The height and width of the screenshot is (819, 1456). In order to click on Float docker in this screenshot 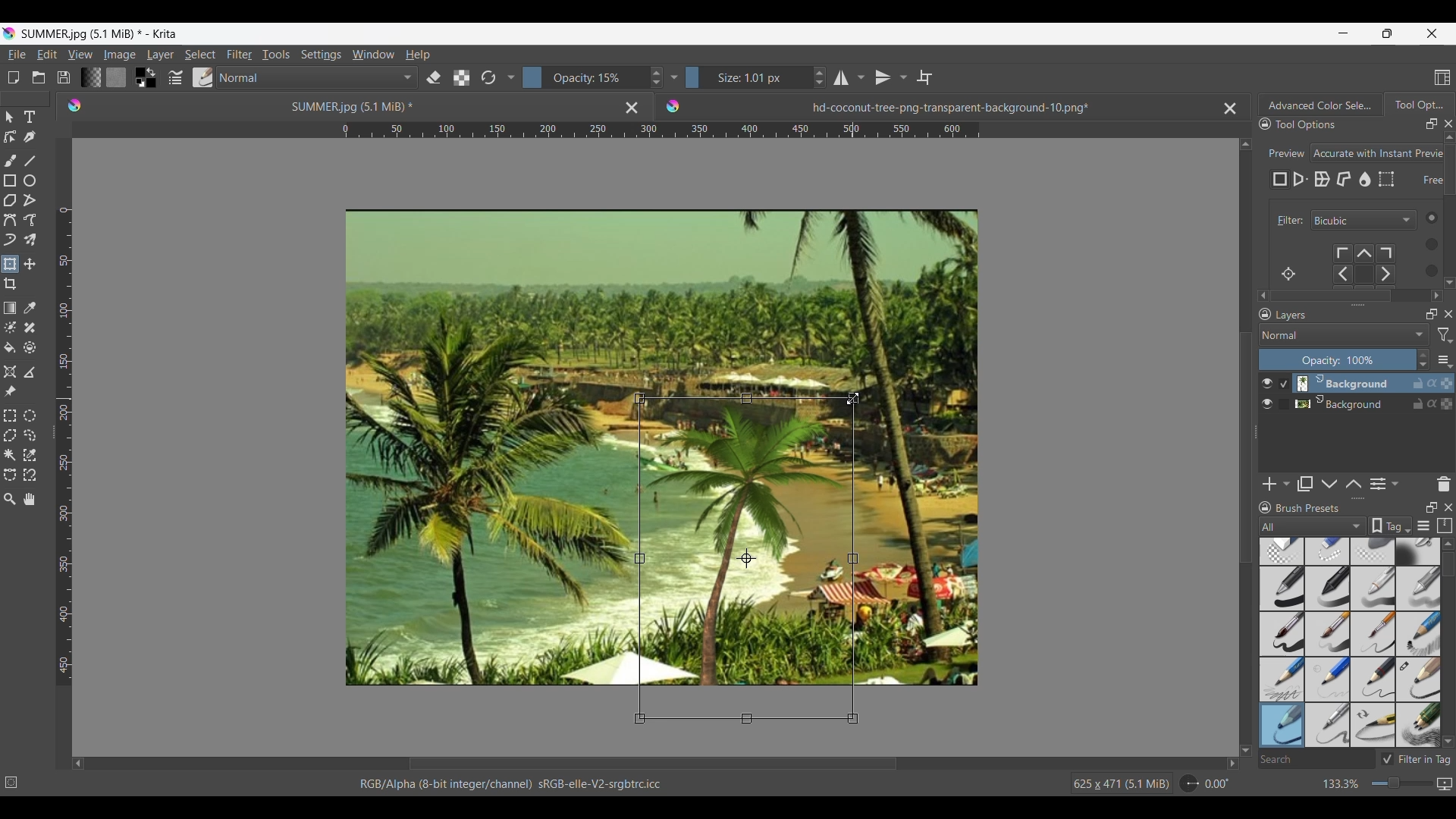, I will do `click(1432, 124)`.